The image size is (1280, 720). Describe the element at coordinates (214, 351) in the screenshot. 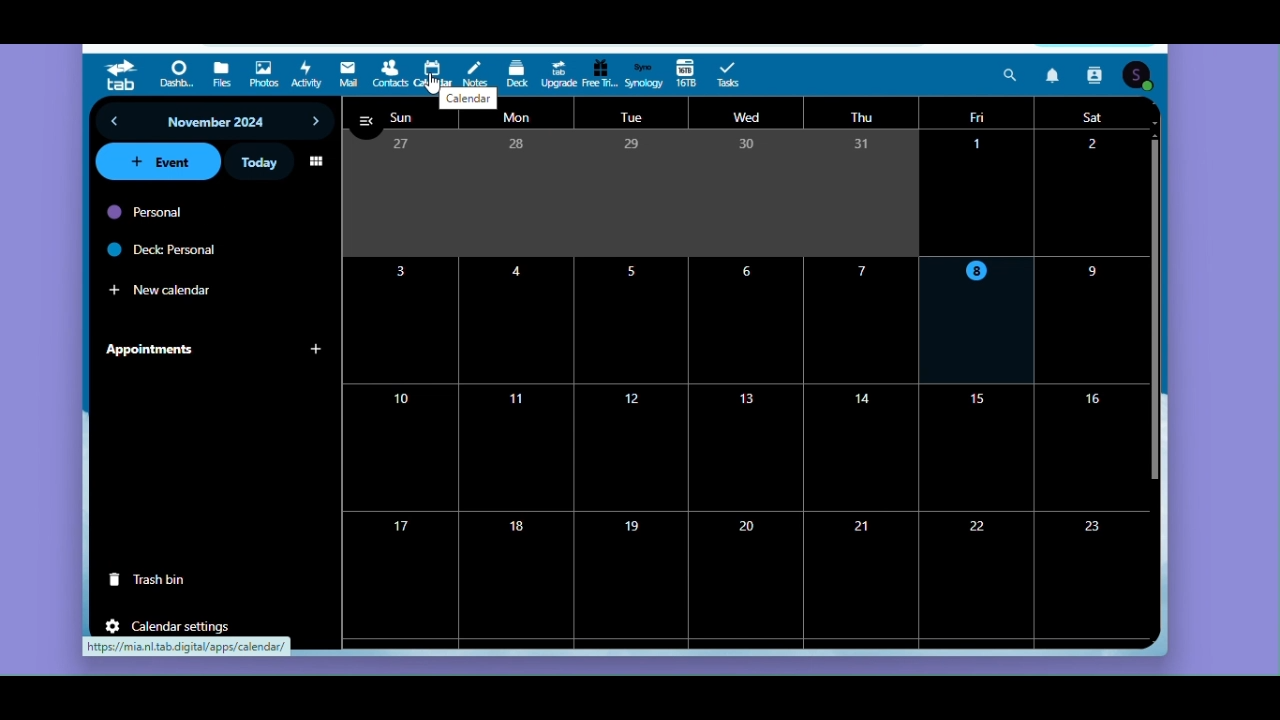

I see `Appointments` at that location.